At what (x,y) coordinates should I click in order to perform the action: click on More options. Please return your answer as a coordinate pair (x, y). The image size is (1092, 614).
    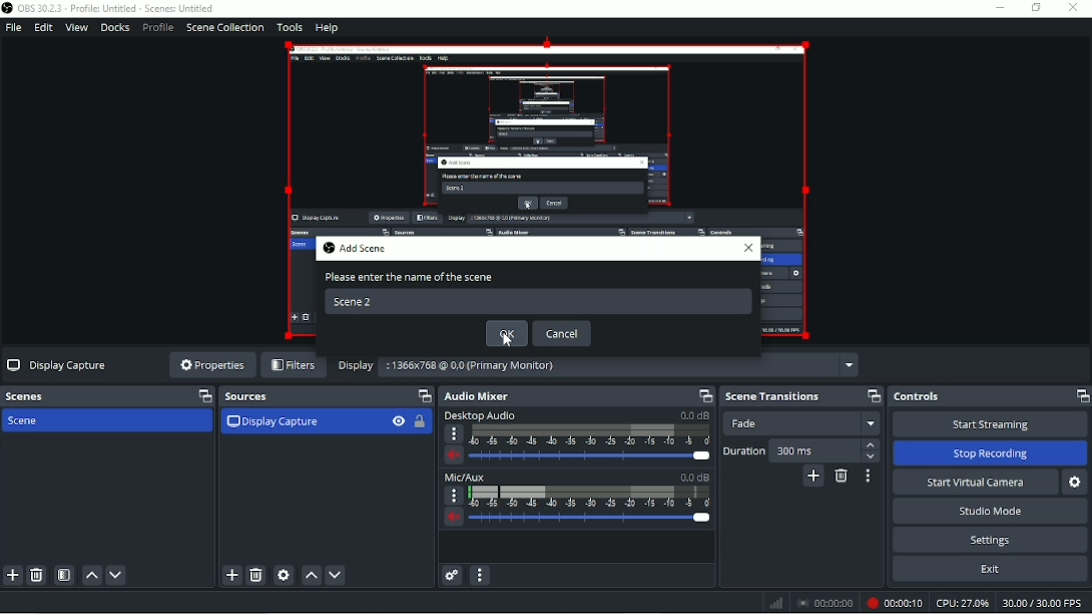
    Looking at the image, I should click on (454, 435).